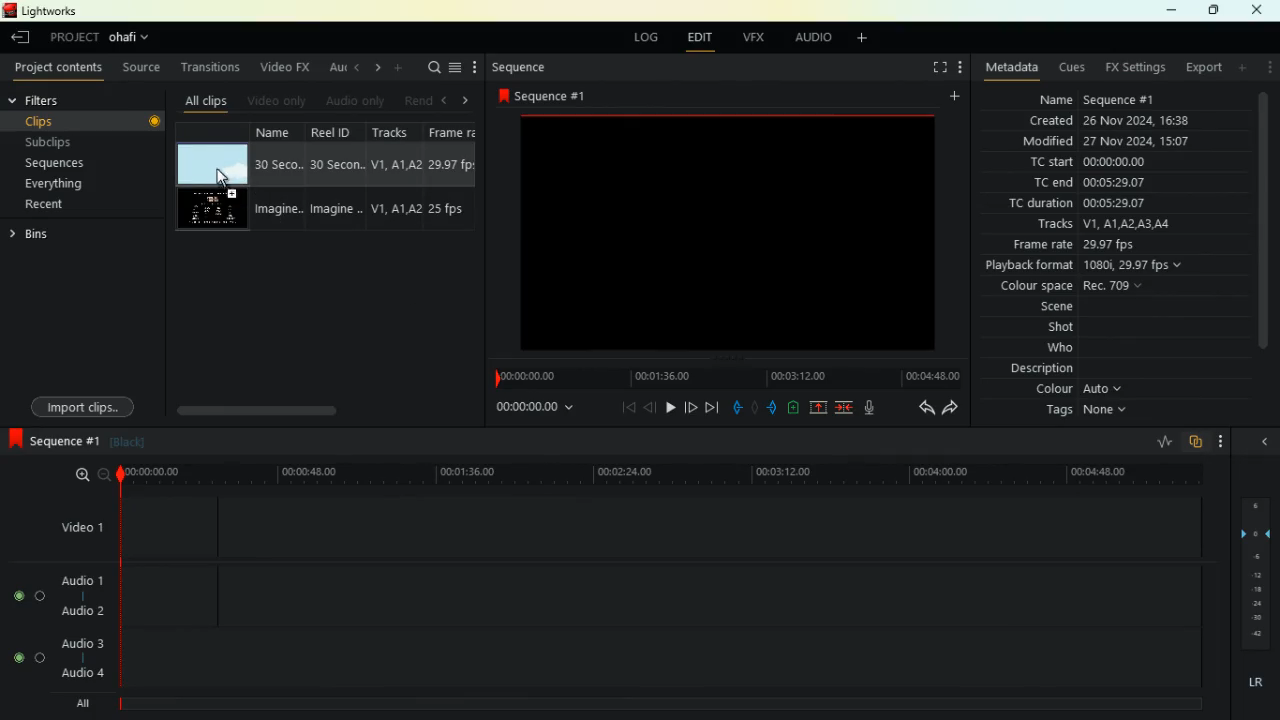 The width and height of the screenshot is (1280, 720). What do you see at coordinates (1254, 684) in the screenshot?
I see `lr` at bounding box center [1254, 684].